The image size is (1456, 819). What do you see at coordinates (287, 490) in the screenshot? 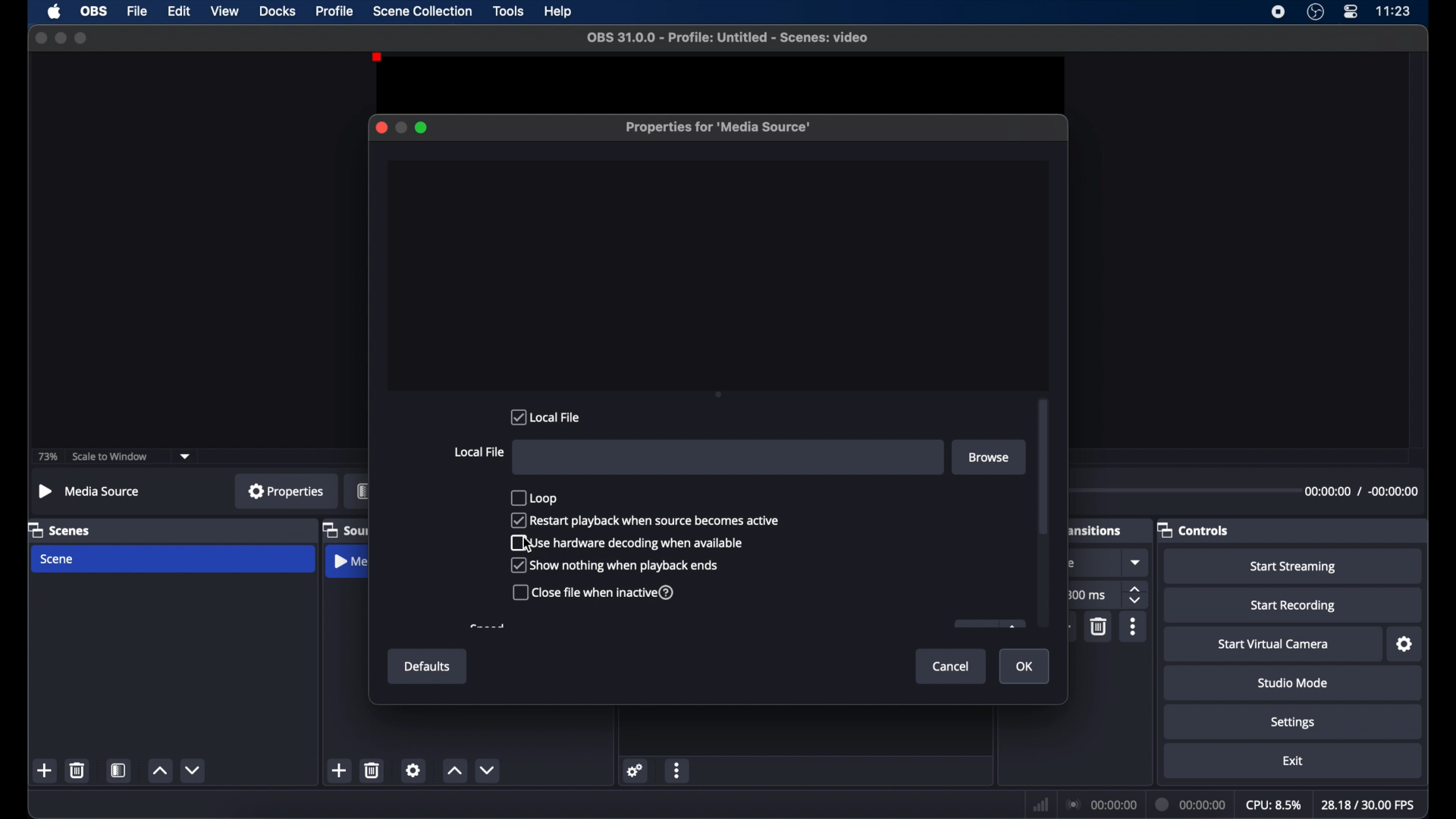
I see `properties` at bounding box center [287, 490].